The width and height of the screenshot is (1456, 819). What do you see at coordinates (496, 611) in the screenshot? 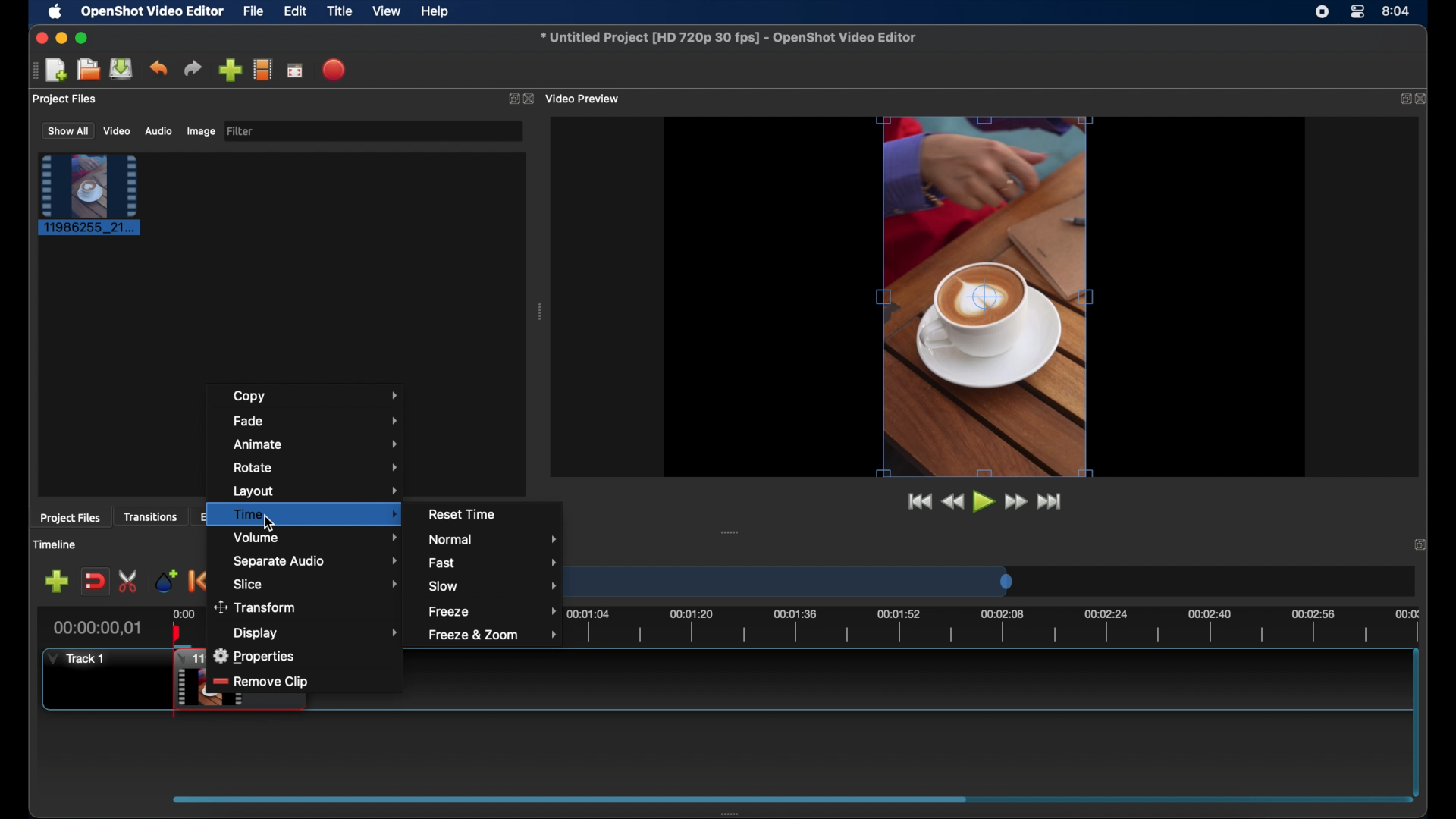
I see `freezemneu` at bounding box center [496, 611].